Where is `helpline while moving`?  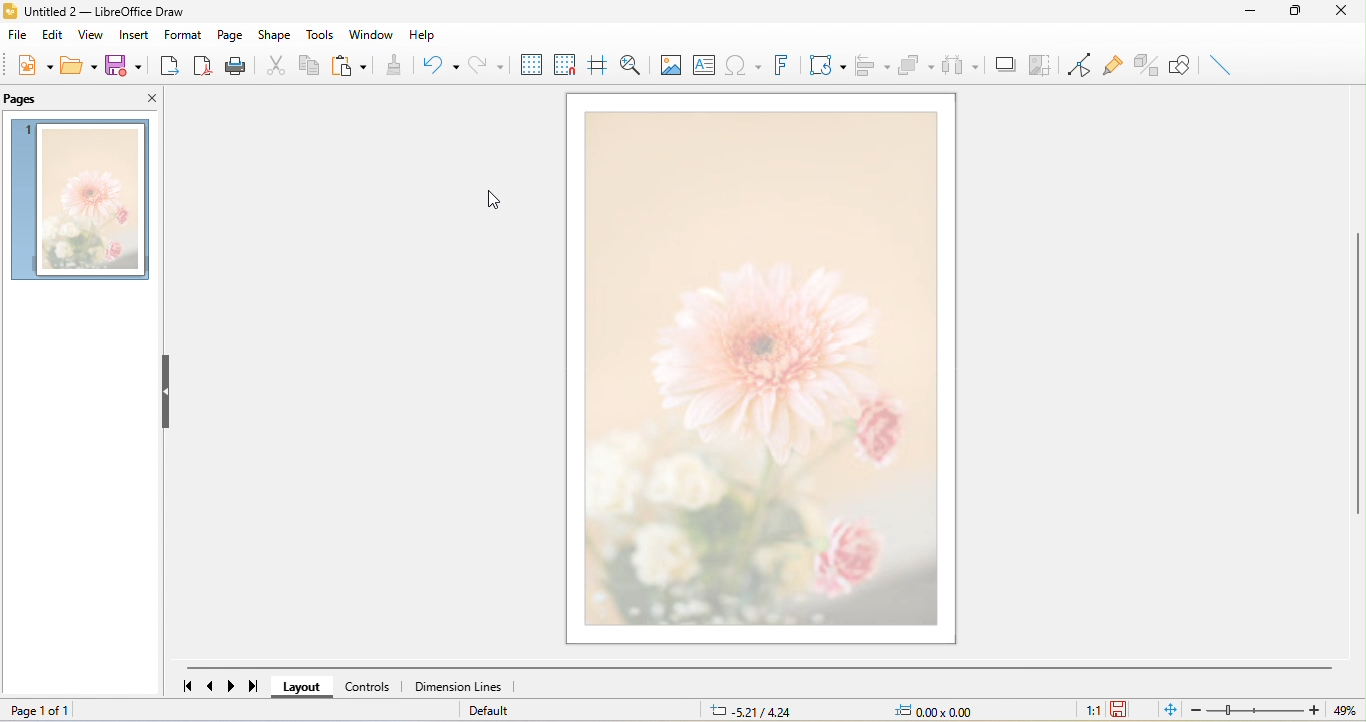 helpline while moving is located at coordinates (597, 65).